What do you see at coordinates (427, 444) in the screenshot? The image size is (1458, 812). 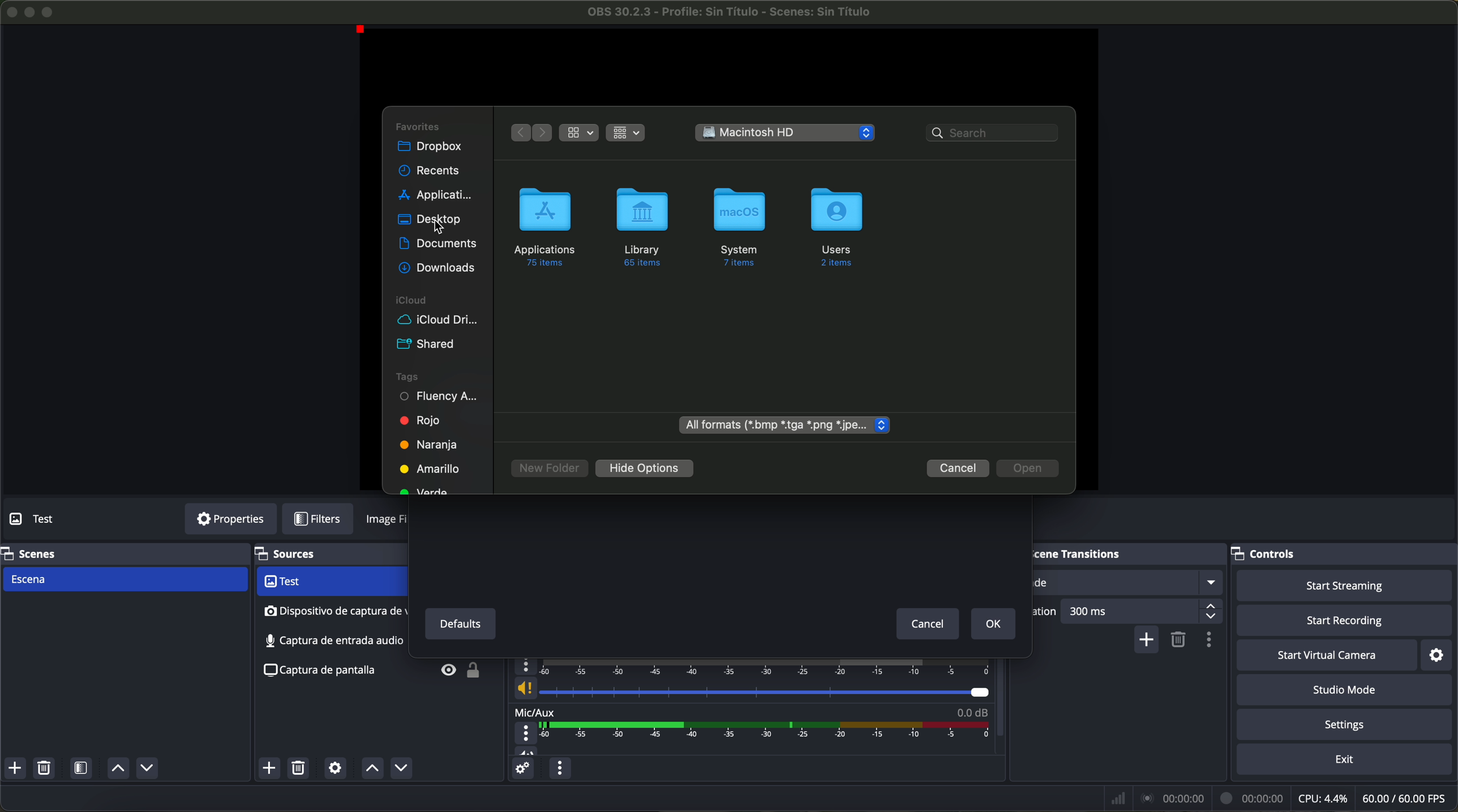 I see `orange` at bounding box center [427, 444].